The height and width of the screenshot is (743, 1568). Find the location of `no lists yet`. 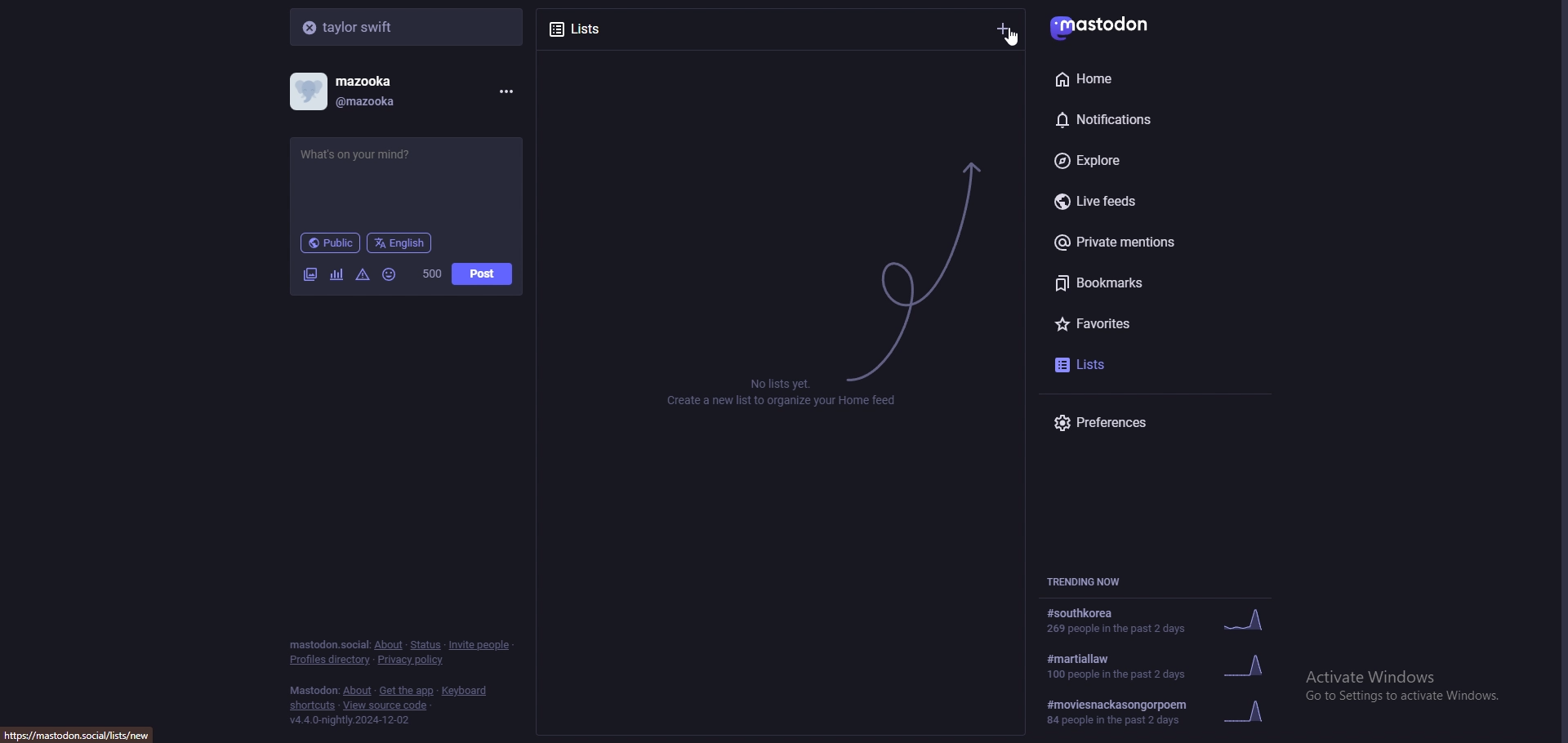

no lists yet is located at coordinates (788, 392).